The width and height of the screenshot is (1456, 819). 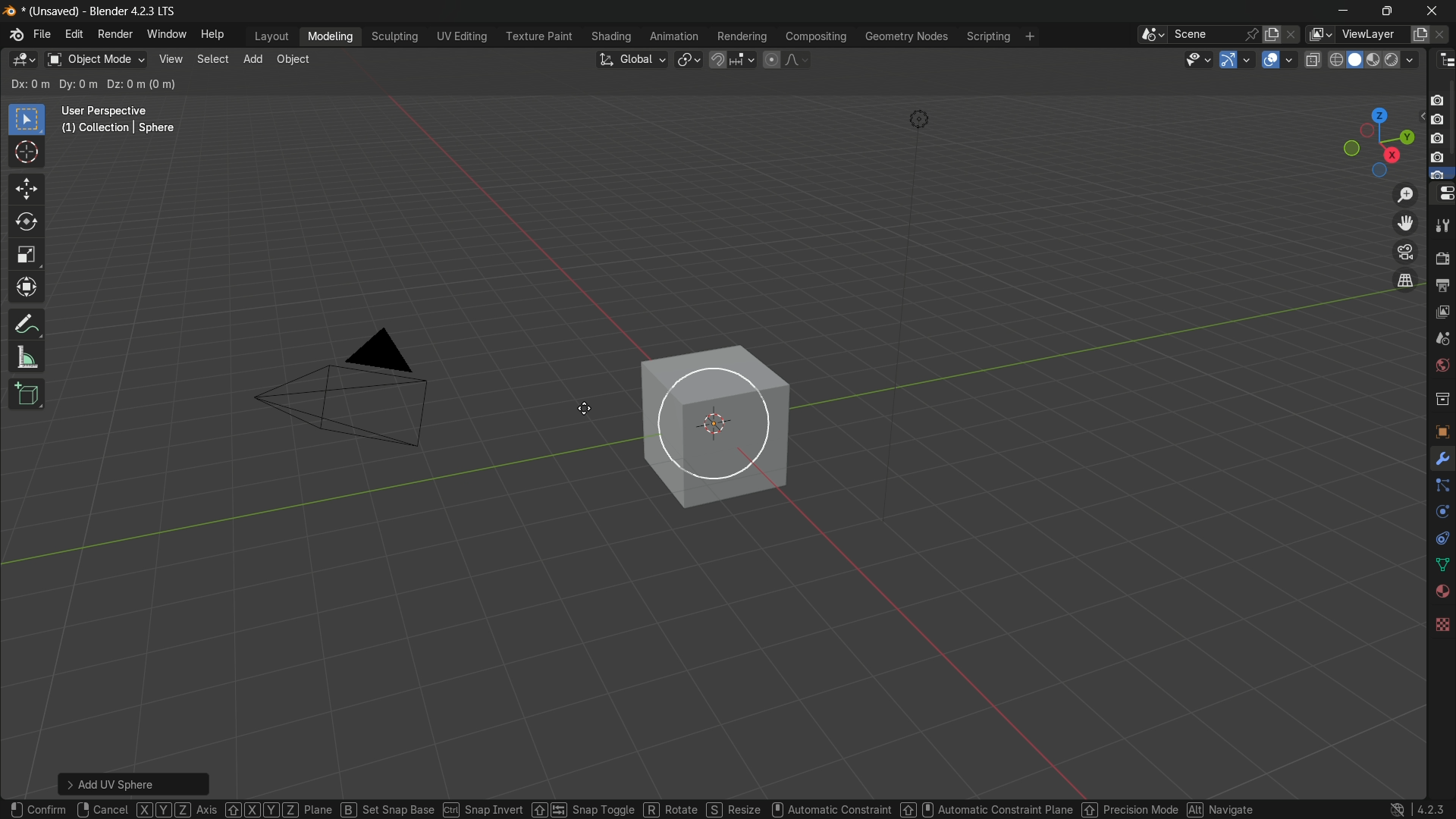 What do you see at coordinates (690, 60) in the screenshot?
I see `transform pivot table` at bounding box center [690, 60].